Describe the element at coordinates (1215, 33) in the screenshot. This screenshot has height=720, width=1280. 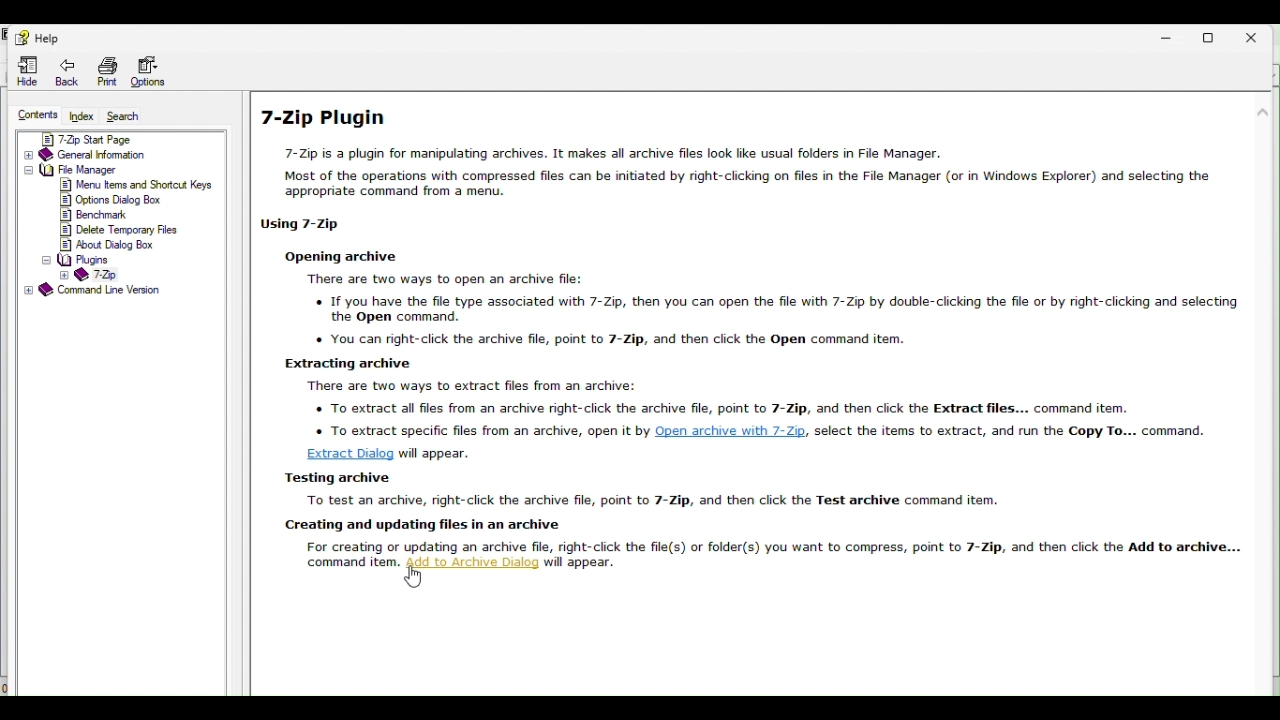
I see `Restore` at that location.